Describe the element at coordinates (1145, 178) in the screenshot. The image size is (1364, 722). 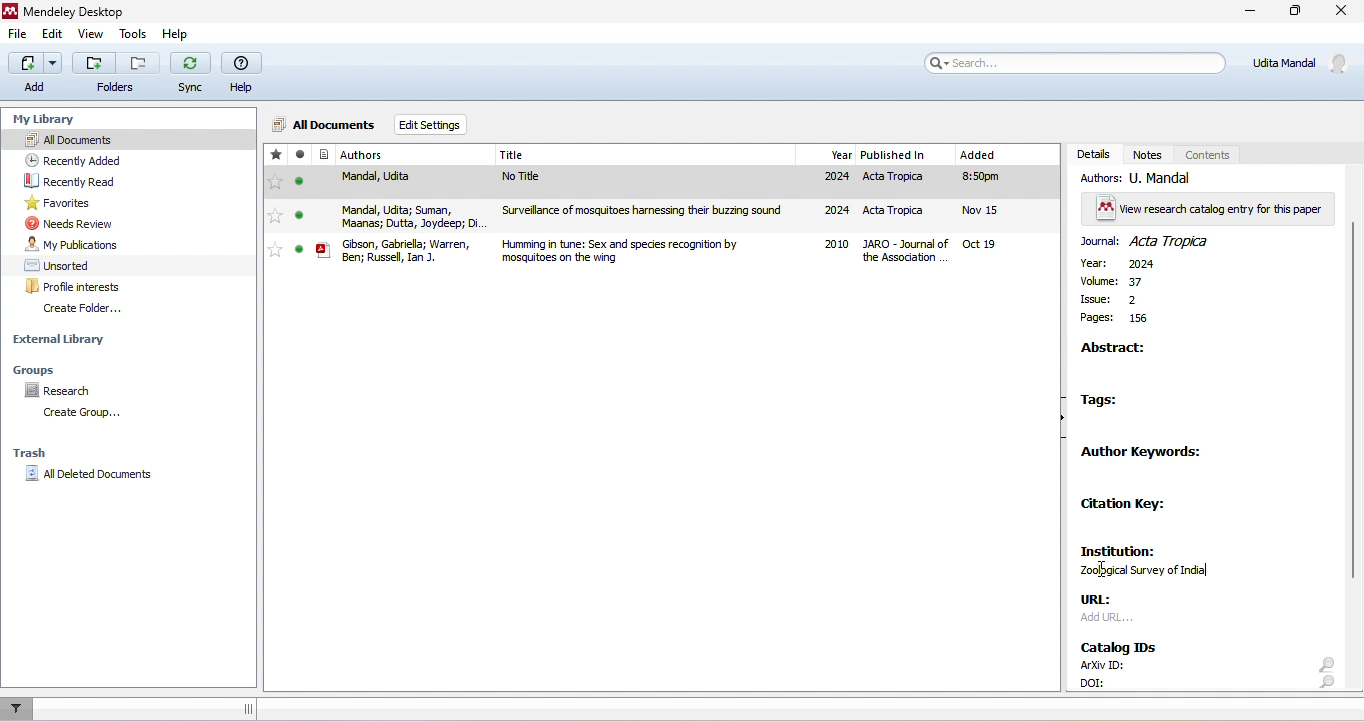
I see `authors: u. mandal` at that location.